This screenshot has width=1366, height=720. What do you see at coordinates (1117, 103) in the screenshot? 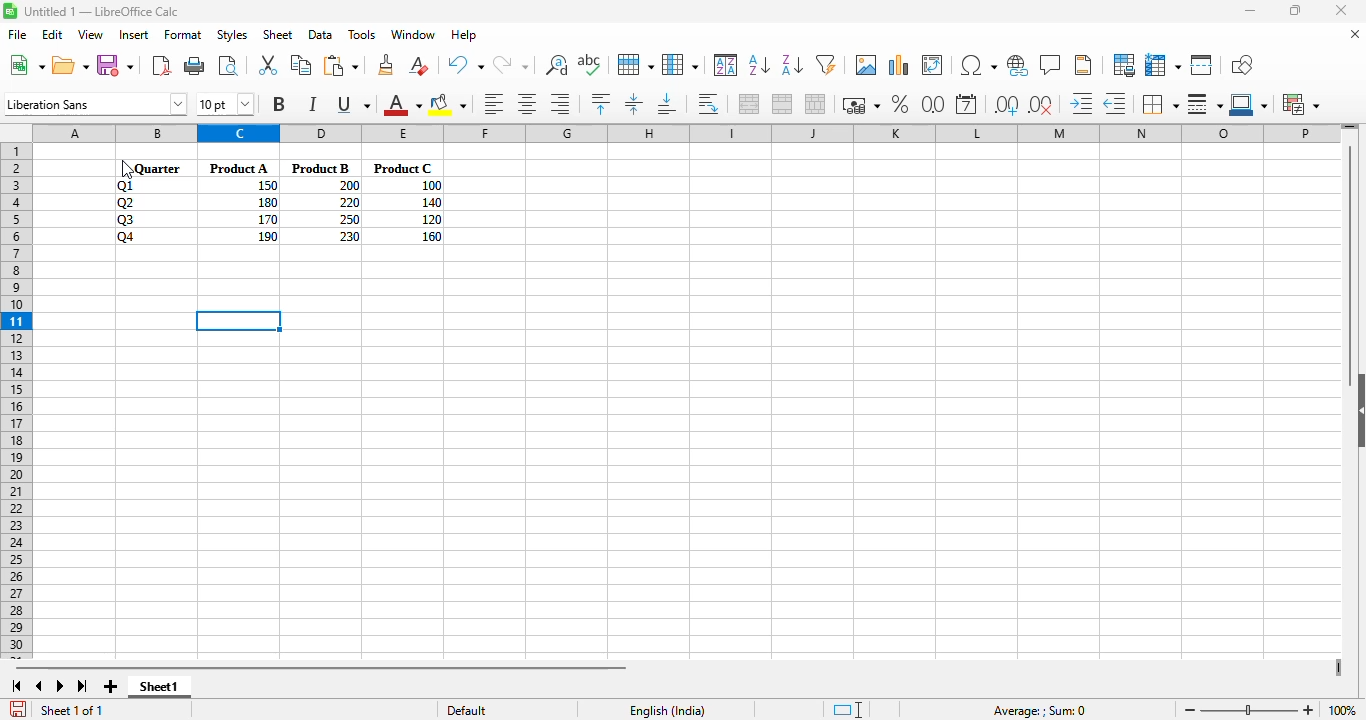
I see `decrease indent` at bounding box center [1117, 103].